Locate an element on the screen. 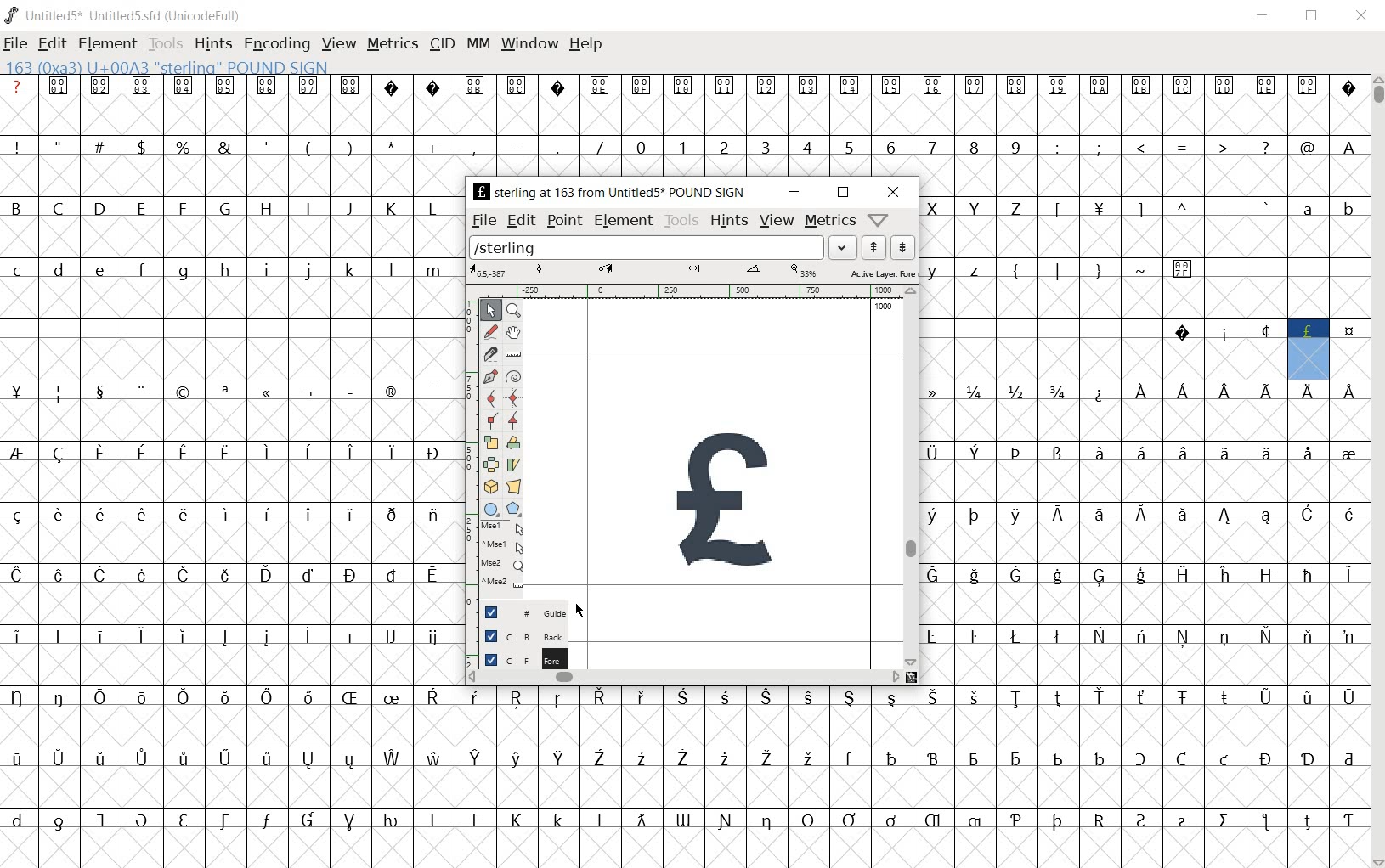 This screenshot has height=868, width=1385. [ is located at coordinates (1055, 211).